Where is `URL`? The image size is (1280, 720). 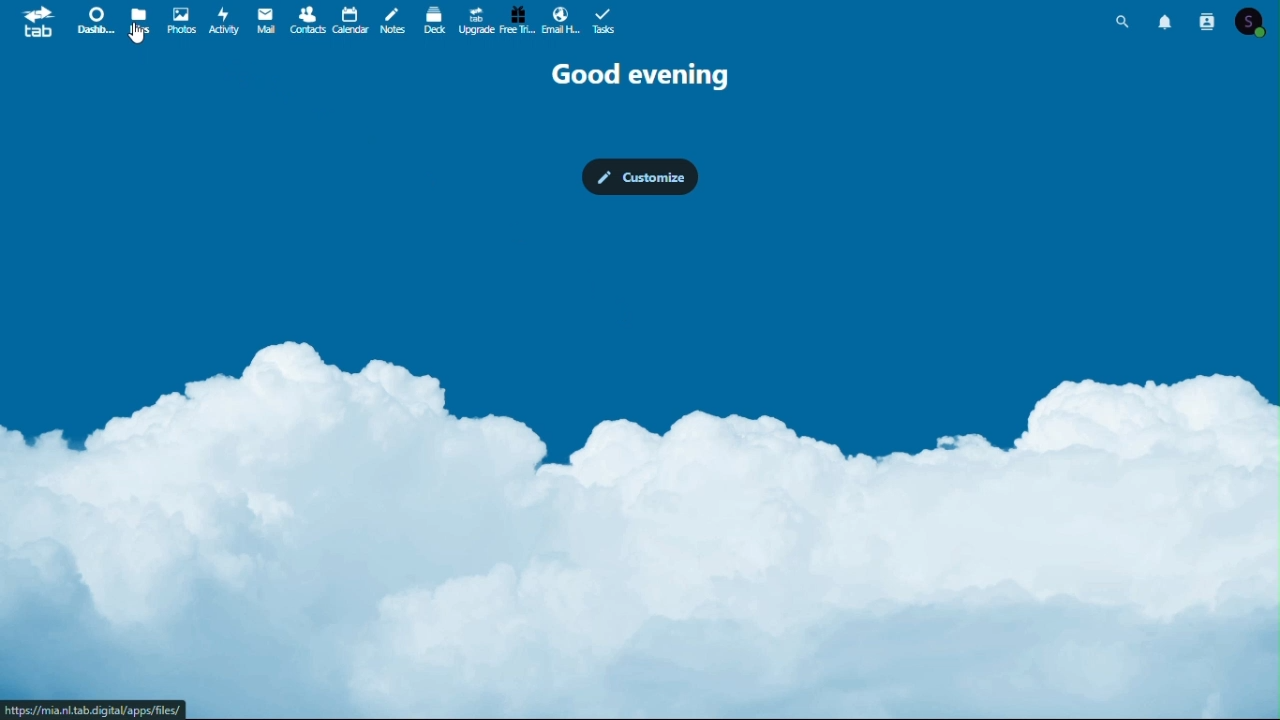 URL is located at coordinates (95, 709).